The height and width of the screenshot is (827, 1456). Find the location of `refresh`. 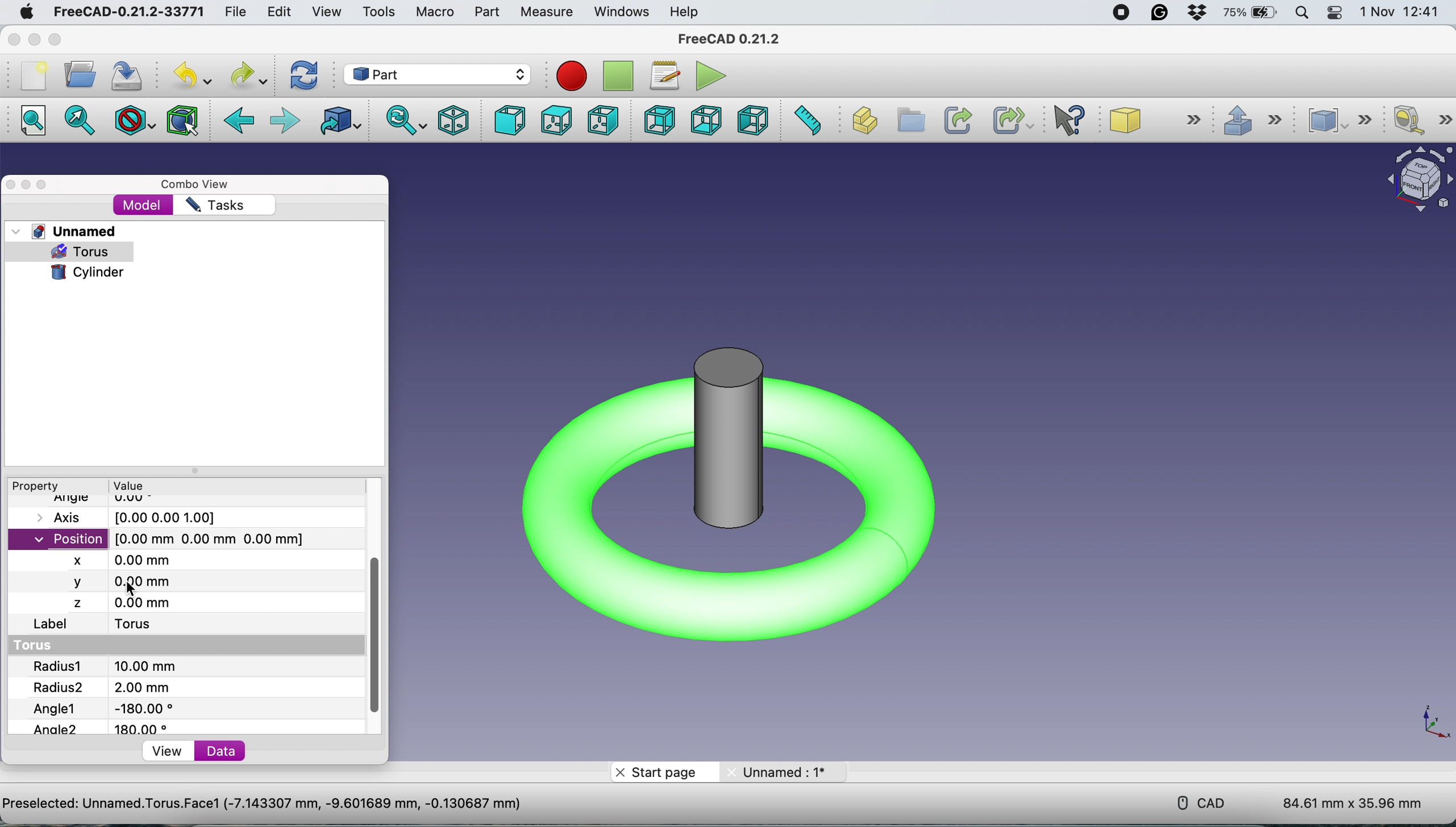

refresh is located at coordinates (307, 76).